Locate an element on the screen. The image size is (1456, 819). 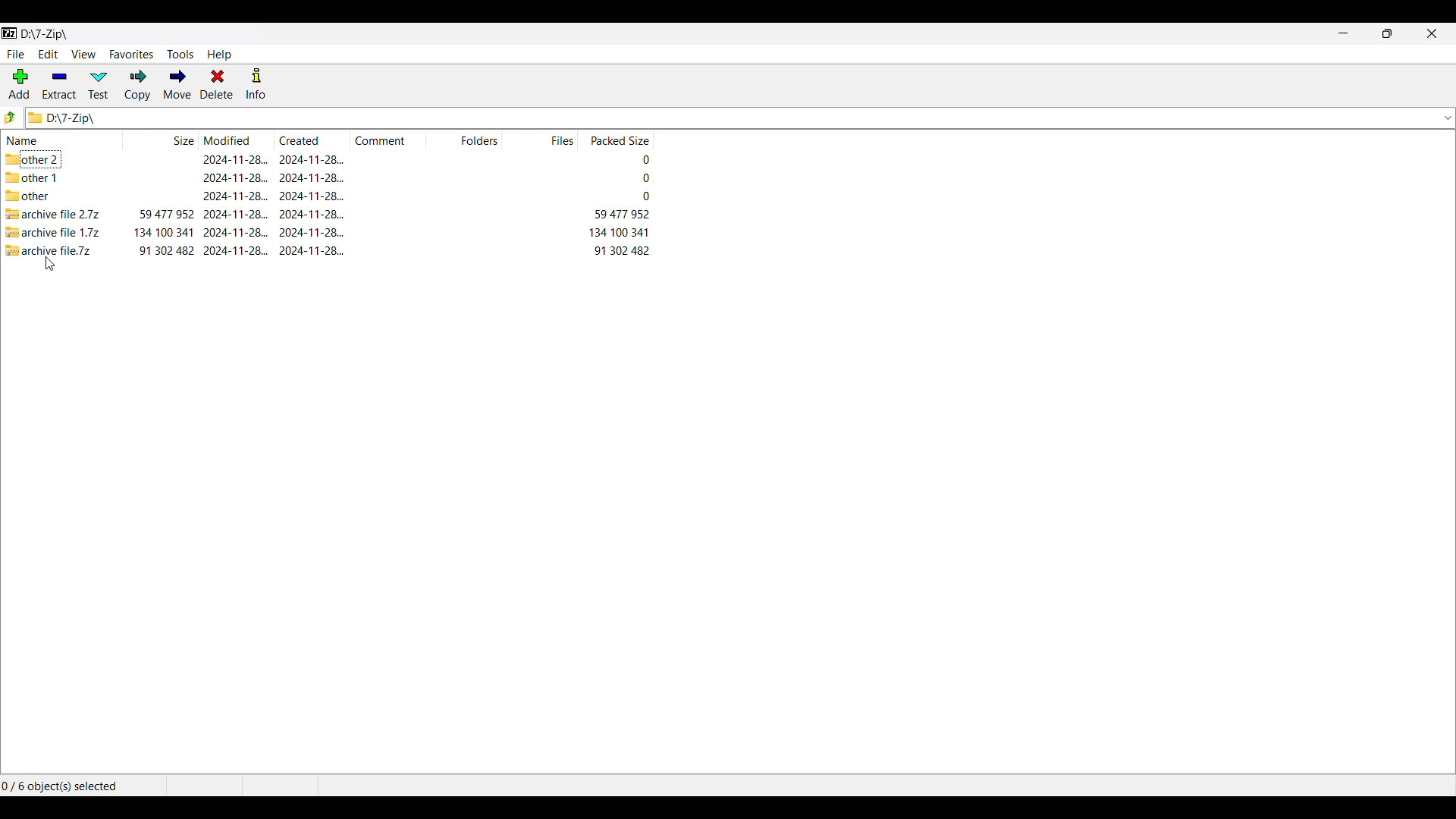
packed size is located at coordinates (645, 196).